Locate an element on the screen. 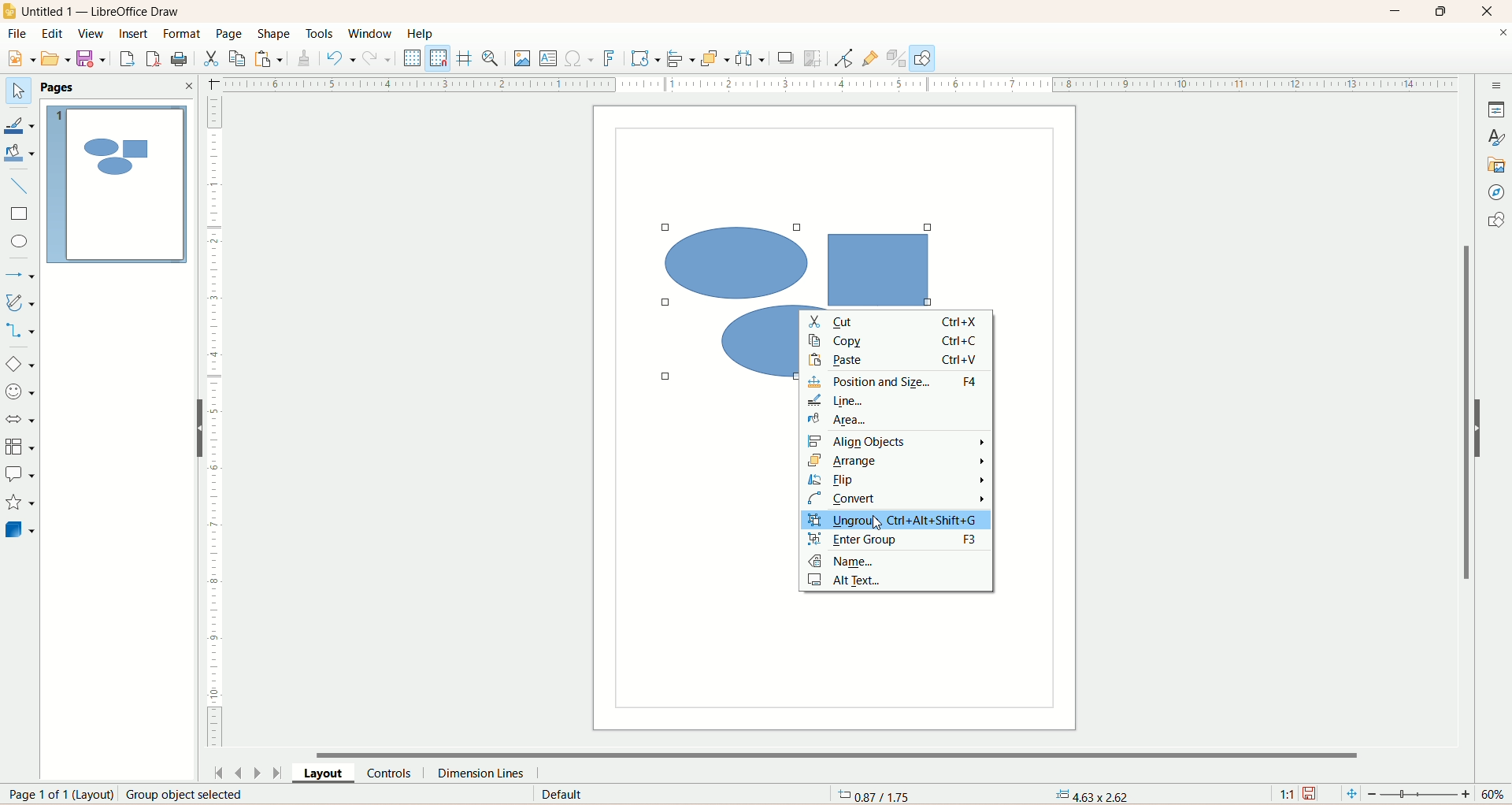 The height and width of the screenshot is (805, 1512). lines and arrows is located at coordinates (23, 276).